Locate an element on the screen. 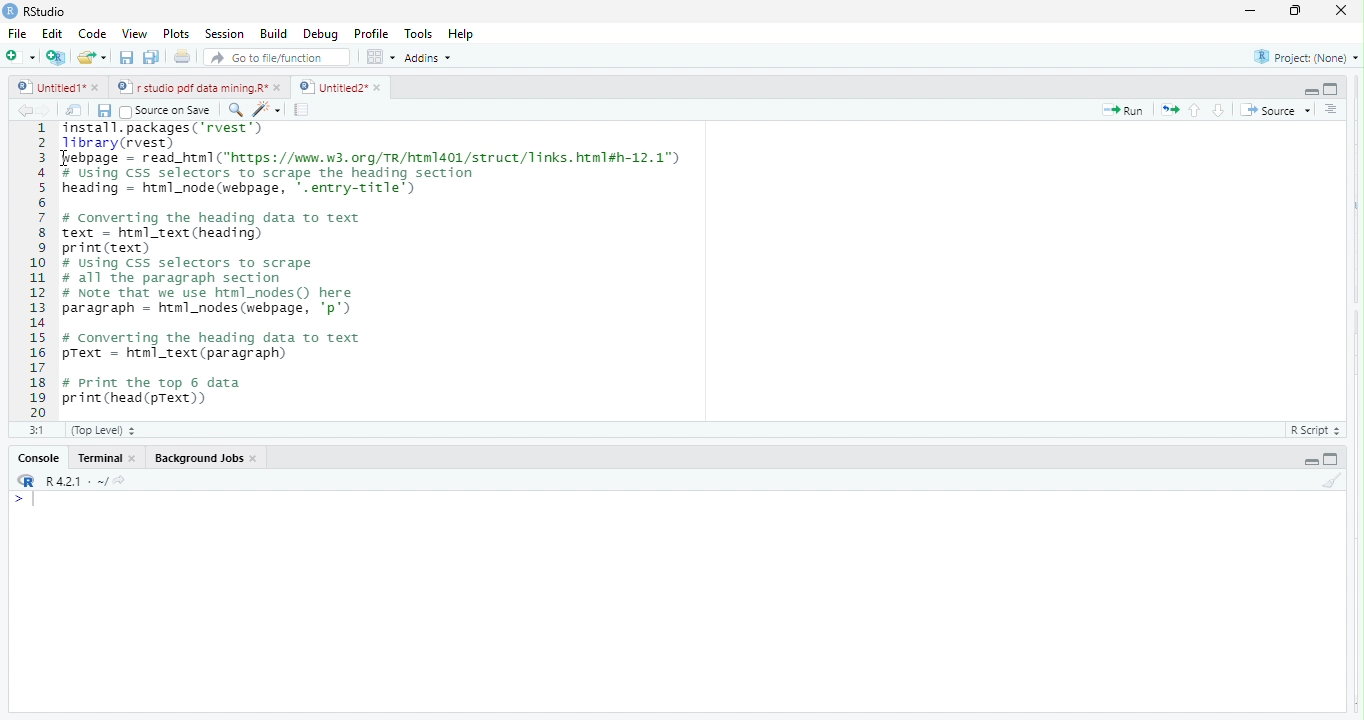 This screenshot has height=720, width=1364.  Source  is located at coordinates (1276, 112).